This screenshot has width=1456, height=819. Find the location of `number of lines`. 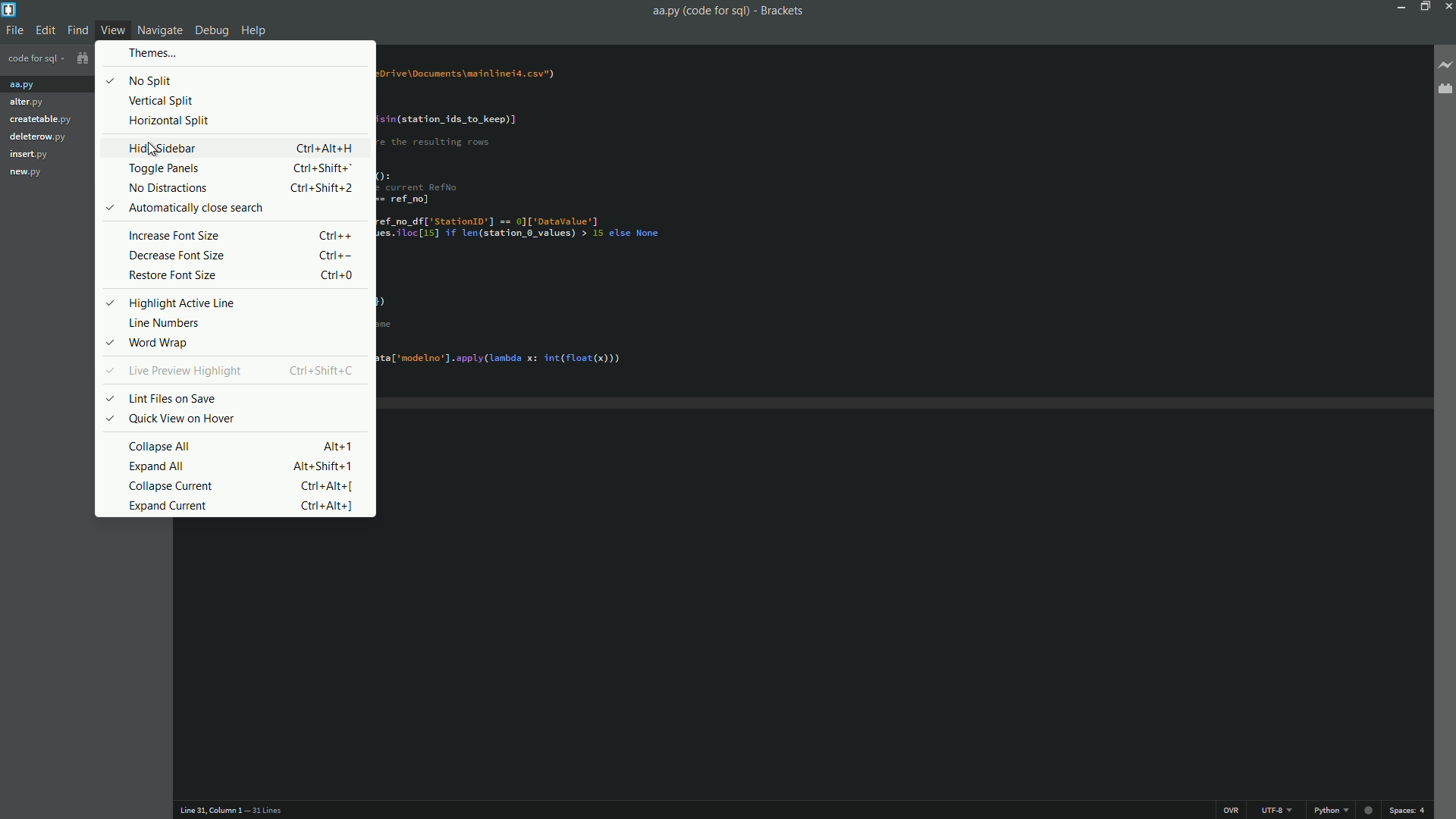

number of lines is located at coordinates (267, 811).